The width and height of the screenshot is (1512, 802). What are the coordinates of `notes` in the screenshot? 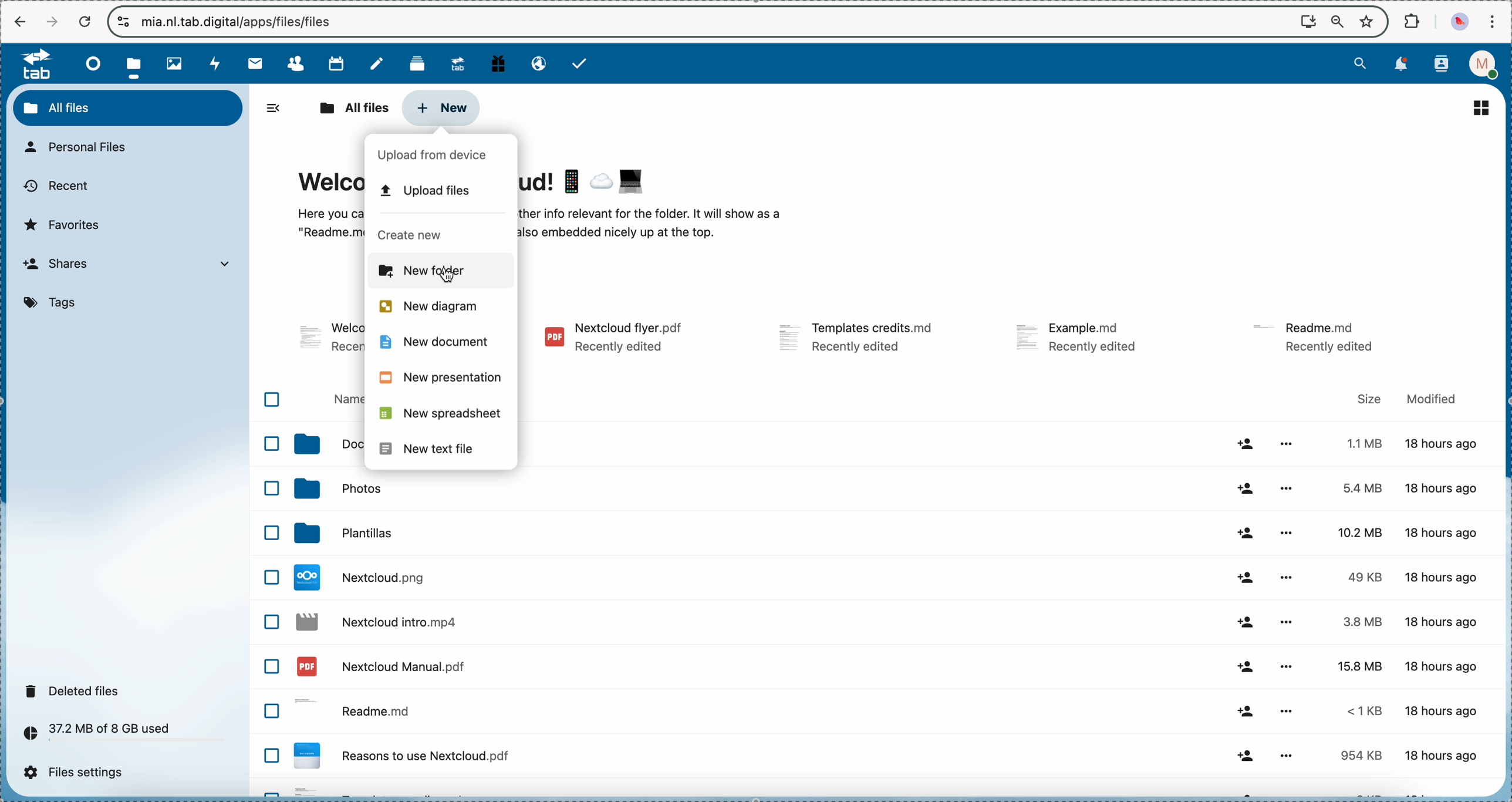 It's located at (379, 64).